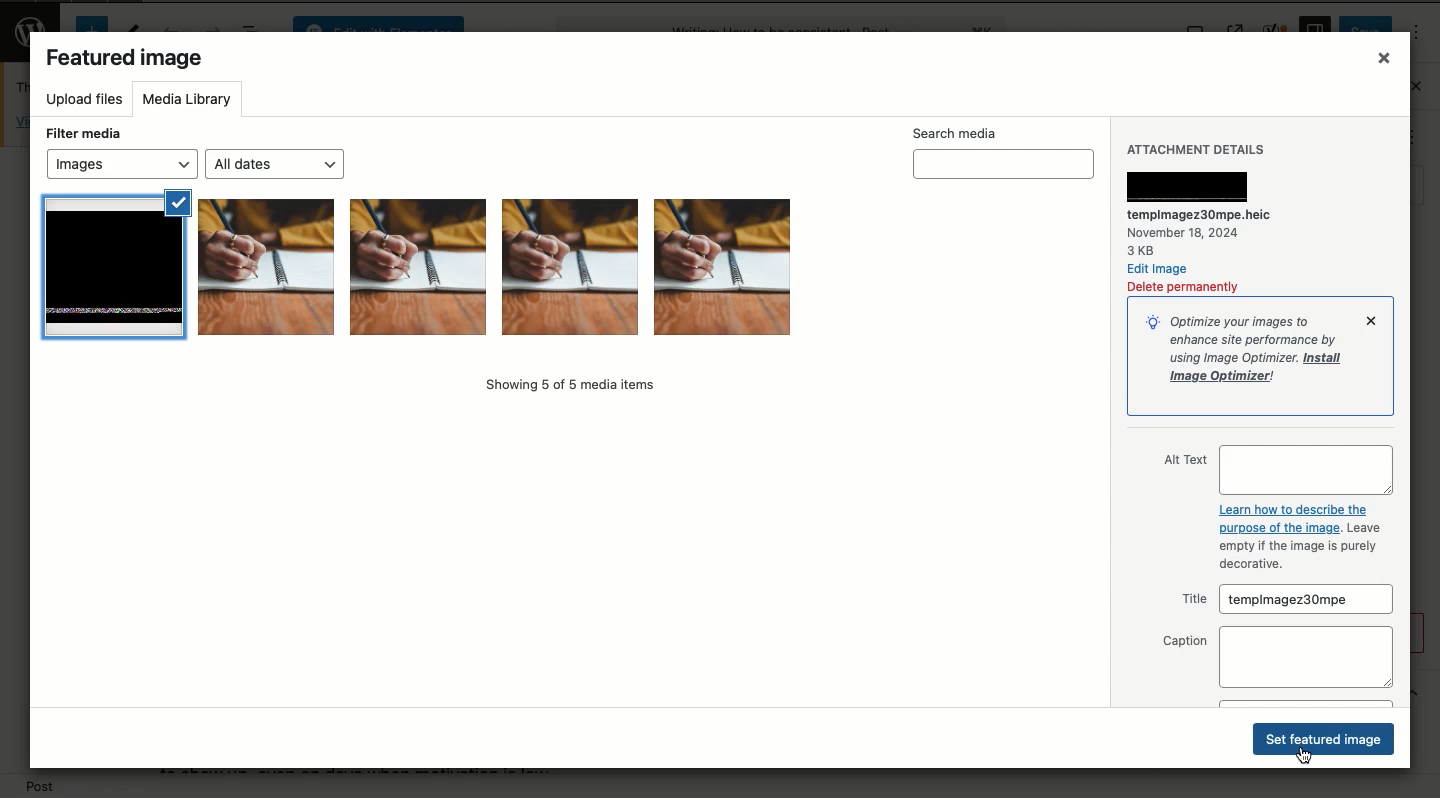 This screenshot has width=1440, height=798. I want to click on Images, so click(120, 165).